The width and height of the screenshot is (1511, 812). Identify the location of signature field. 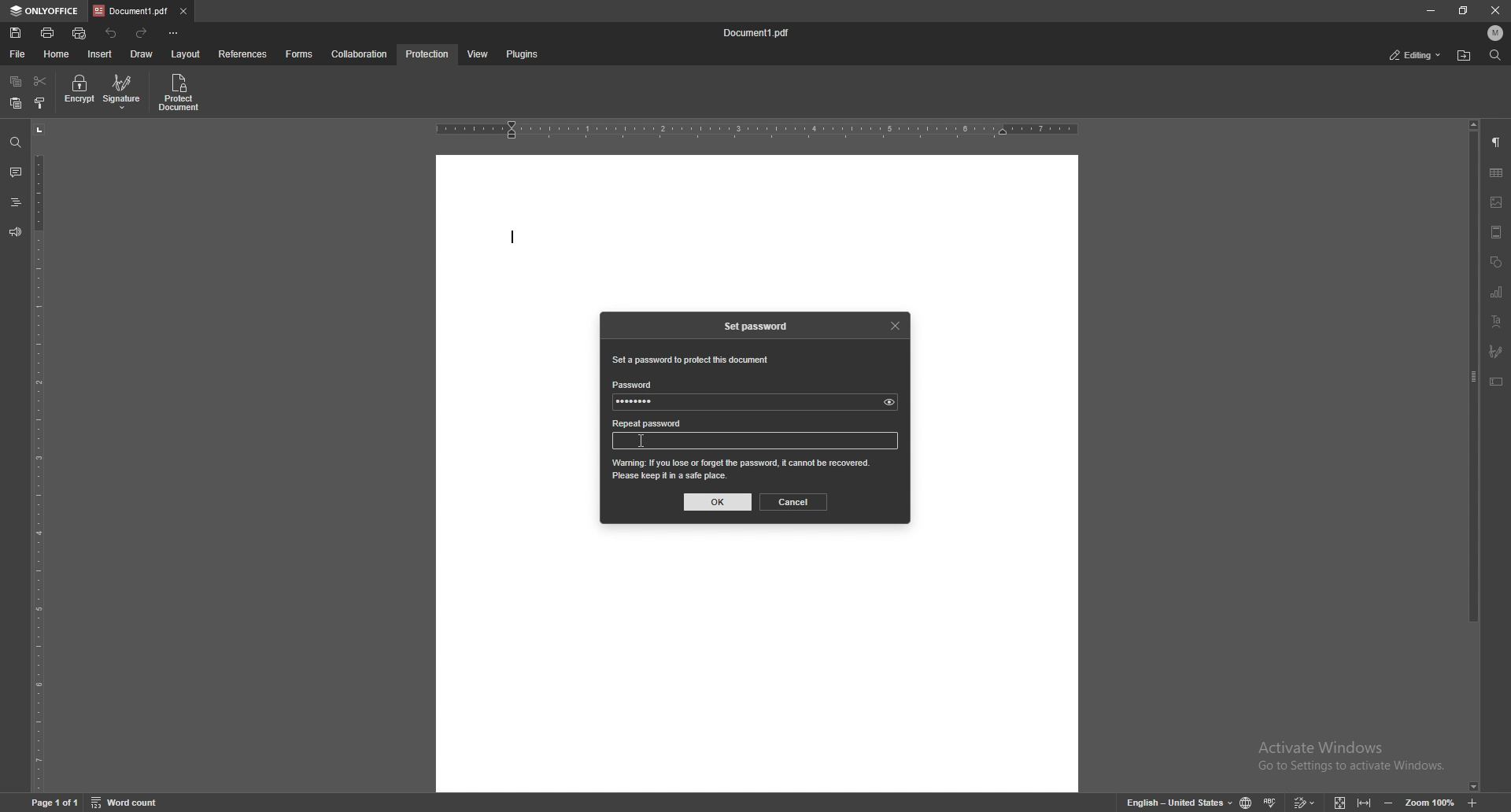
(1497, 350).